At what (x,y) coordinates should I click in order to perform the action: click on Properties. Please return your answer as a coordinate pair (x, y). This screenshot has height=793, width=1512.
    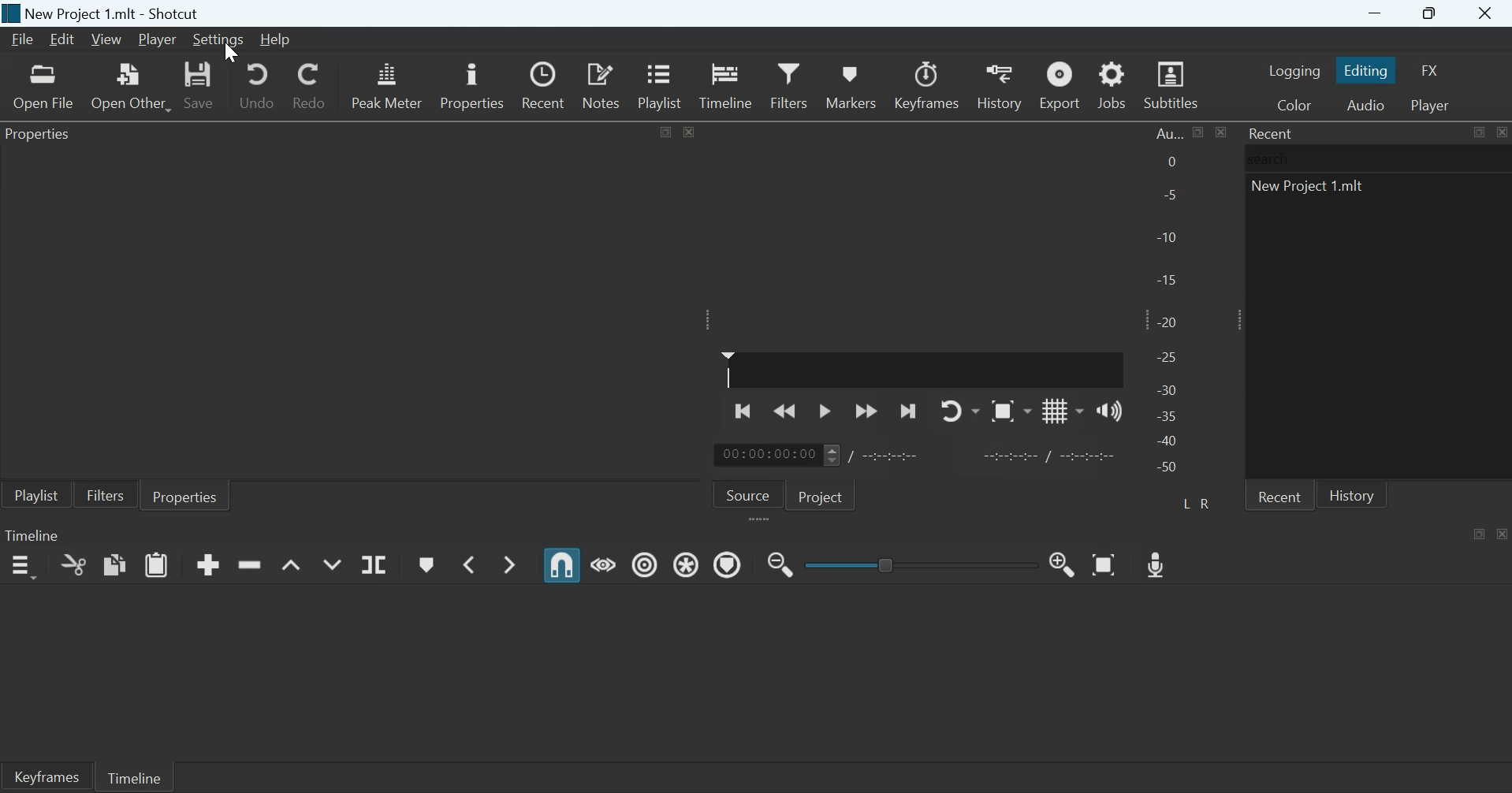
    Looking at the image, I should click on (185, 495).